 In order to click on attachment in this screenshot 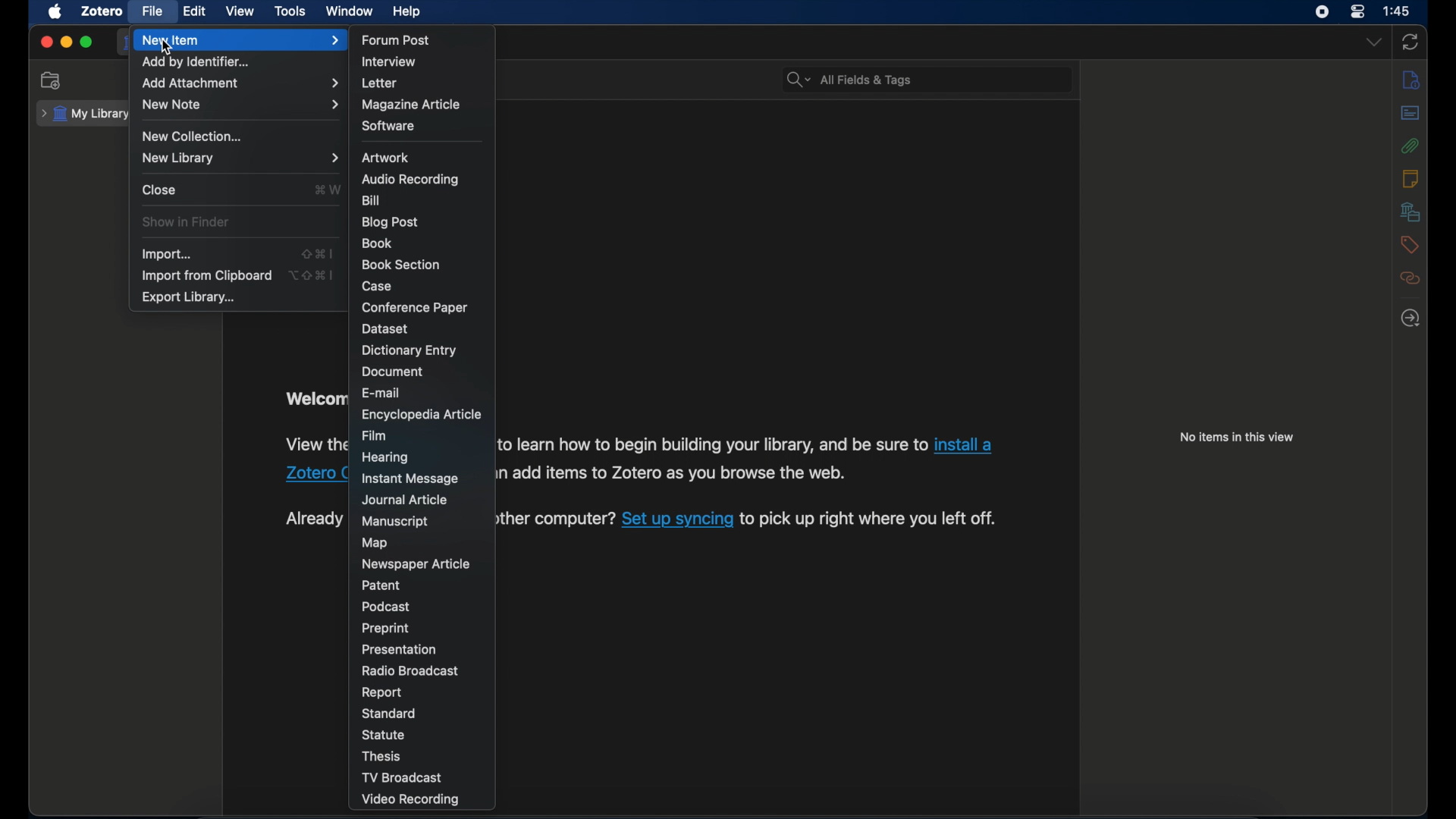, I will do `click(1410, 146)`.